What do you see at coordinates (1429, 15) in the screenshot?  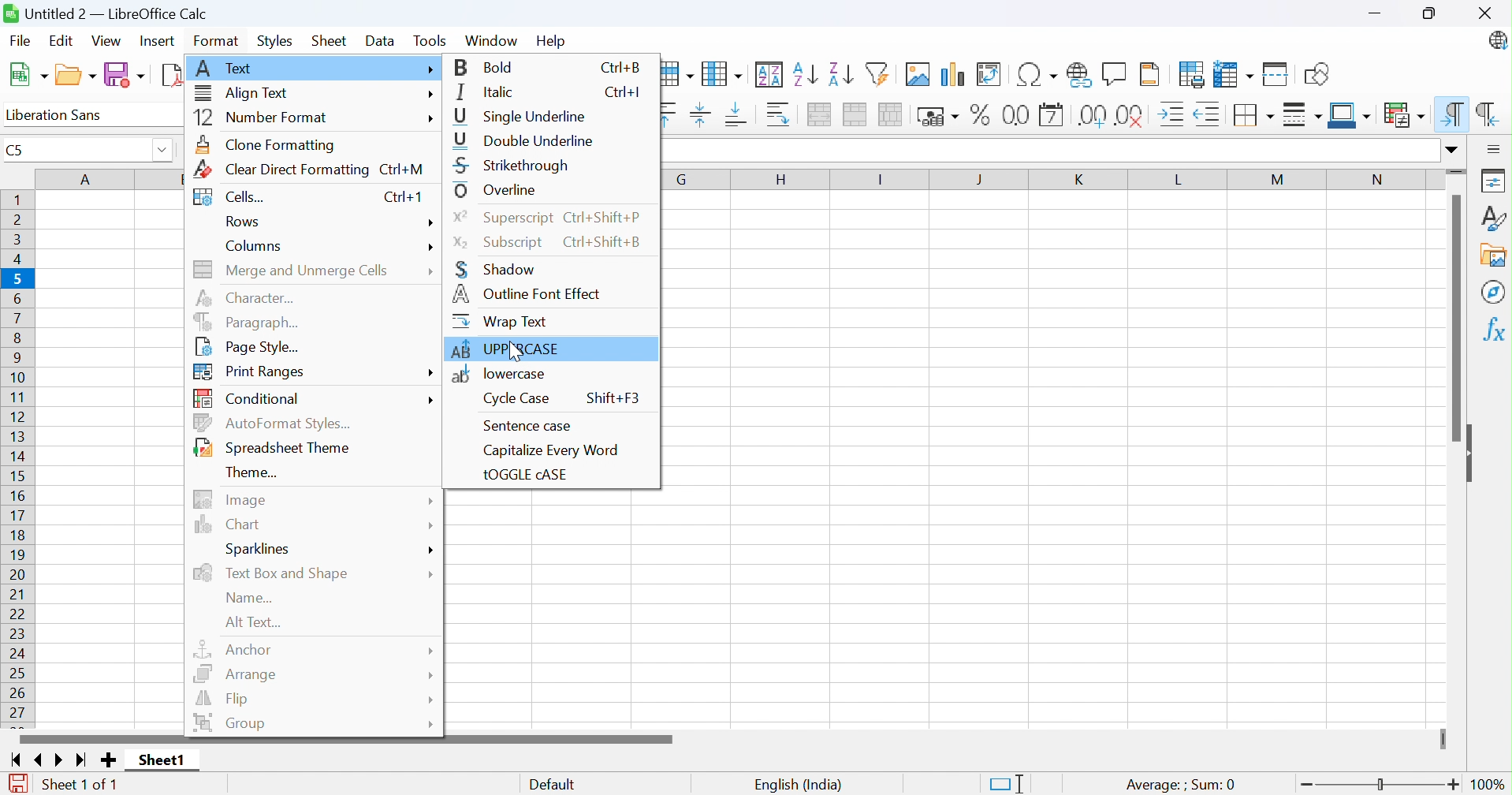 I see `Restore down` at bounding box center [1429, 15].